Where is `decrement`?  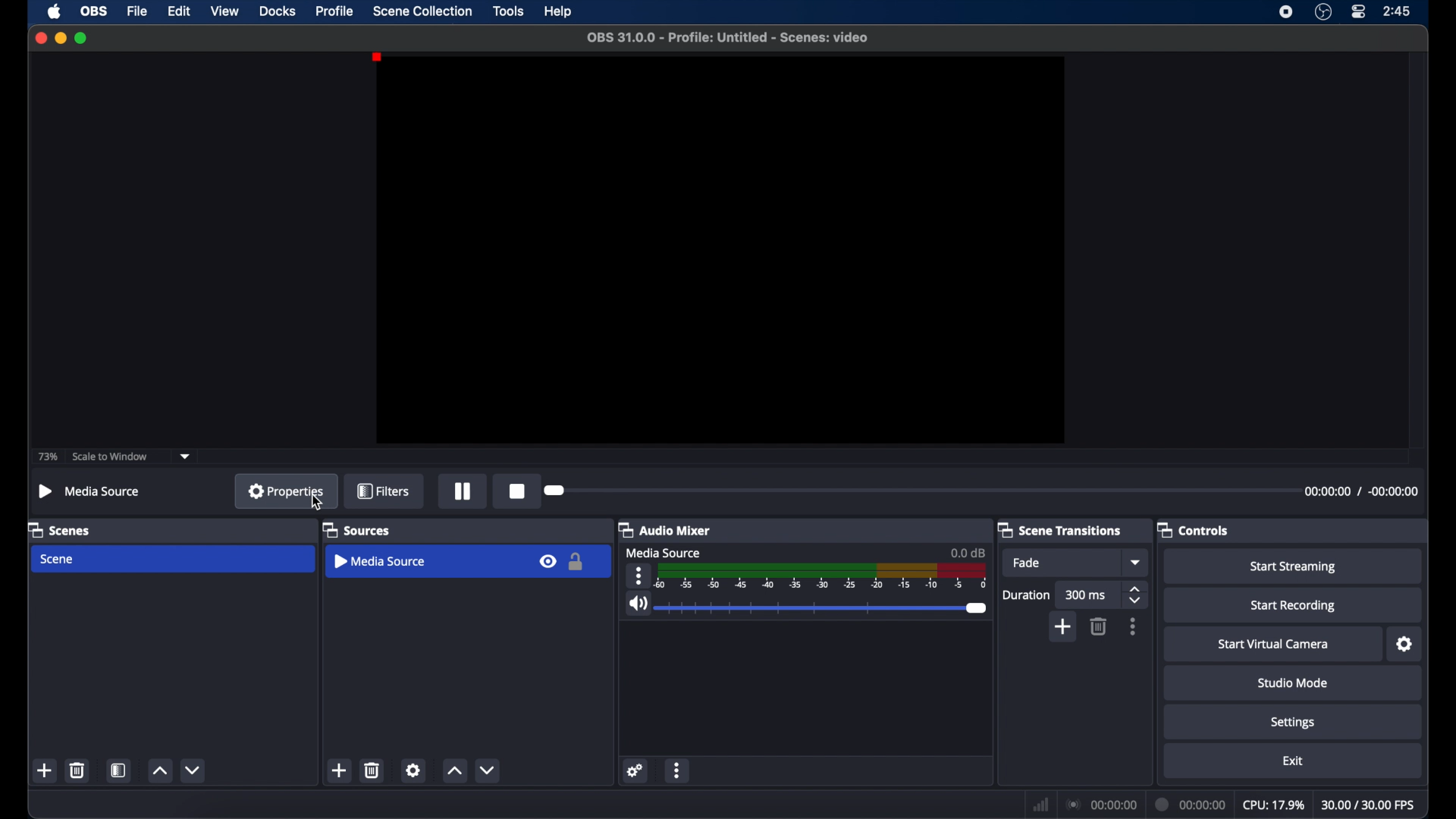
decrement is located at coordinates (491, 770).